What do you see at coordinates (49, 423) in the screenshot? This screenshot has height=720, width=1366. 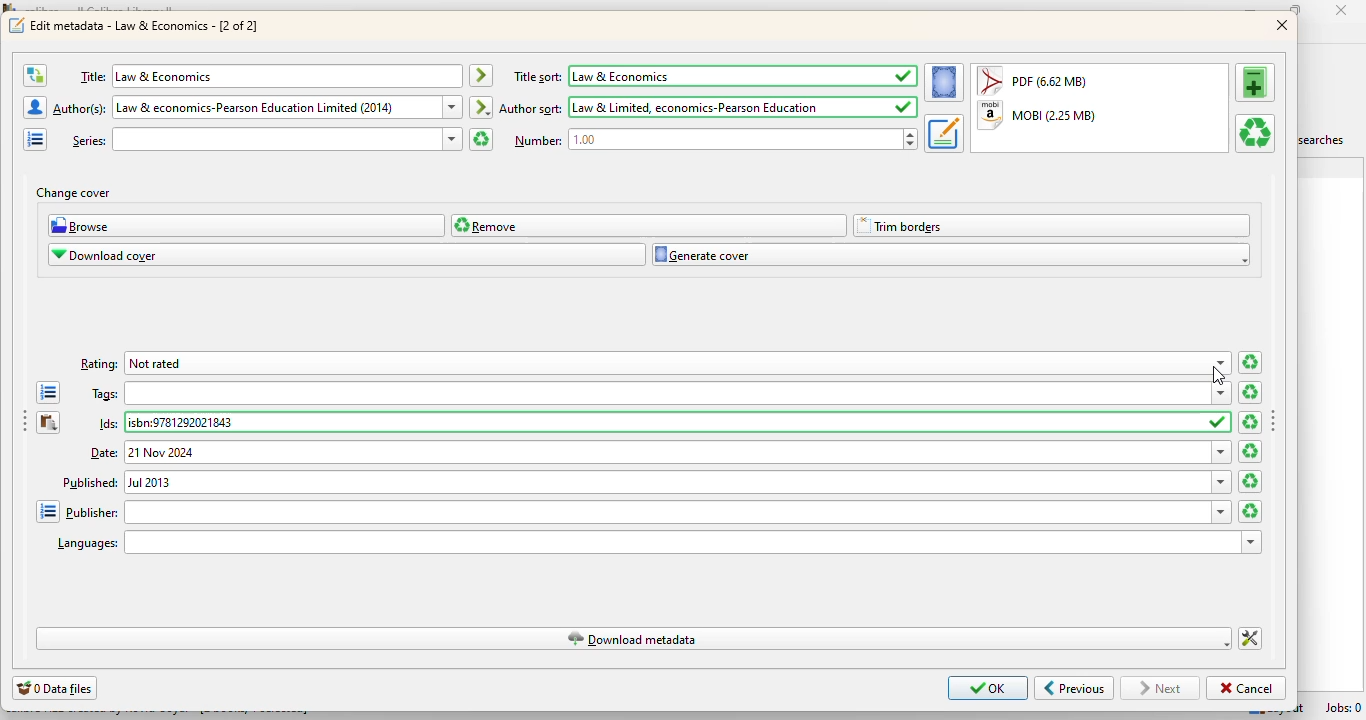 I see `paste` at bounding box center [49, 423].